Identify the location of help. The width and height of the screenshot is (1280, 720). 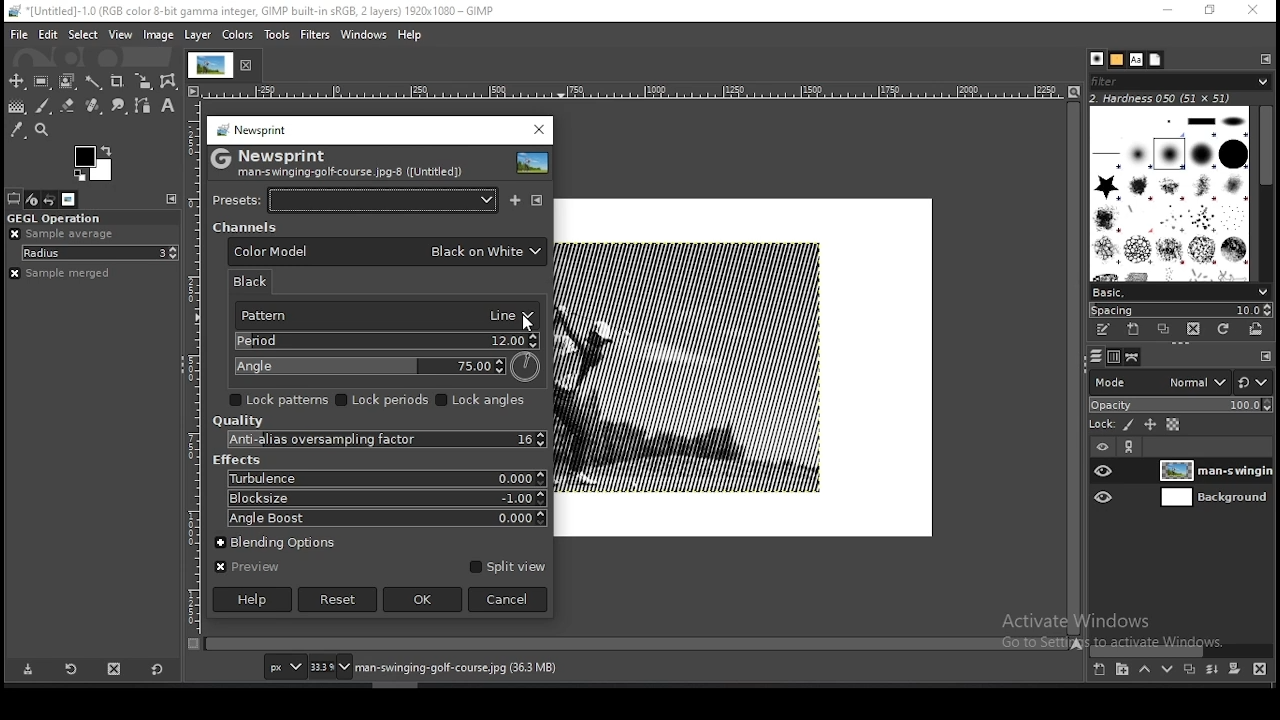
(409, 36).